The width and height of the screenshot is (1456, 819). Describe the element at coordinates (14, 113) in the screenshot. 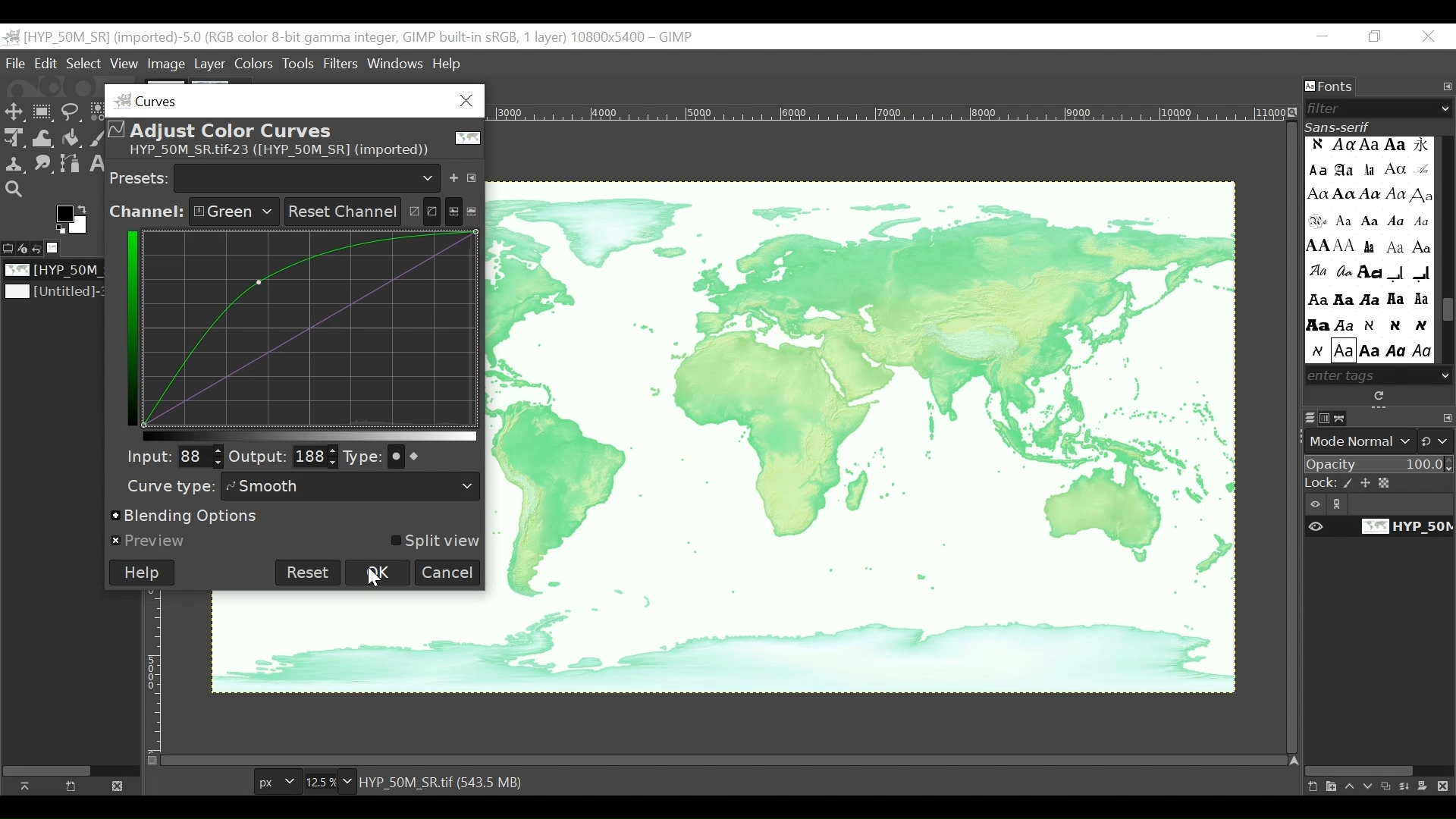

I see `Select tool` at that location.